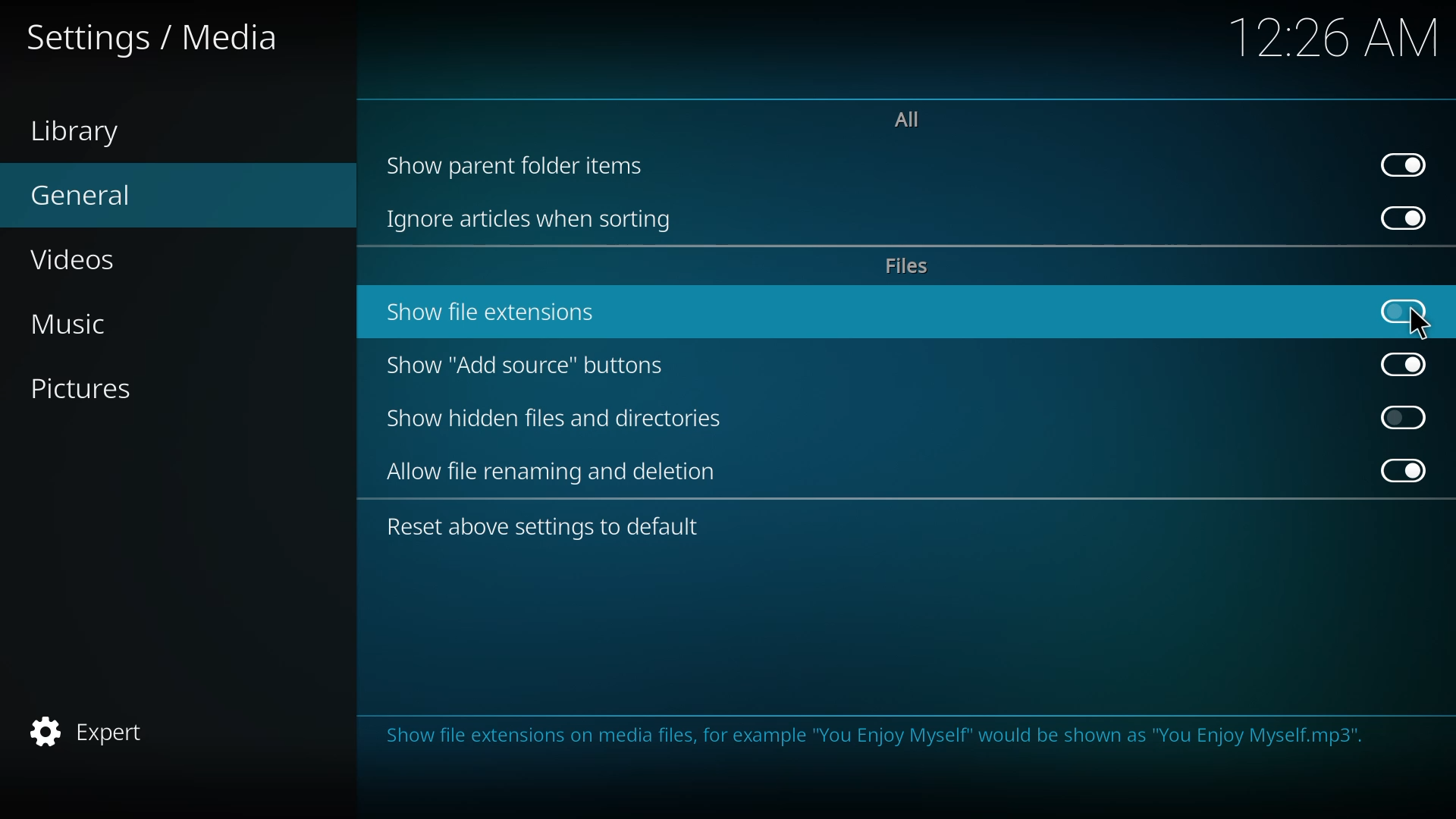 The image size is (1456, 819). I want to click on all, so click(903, 118).